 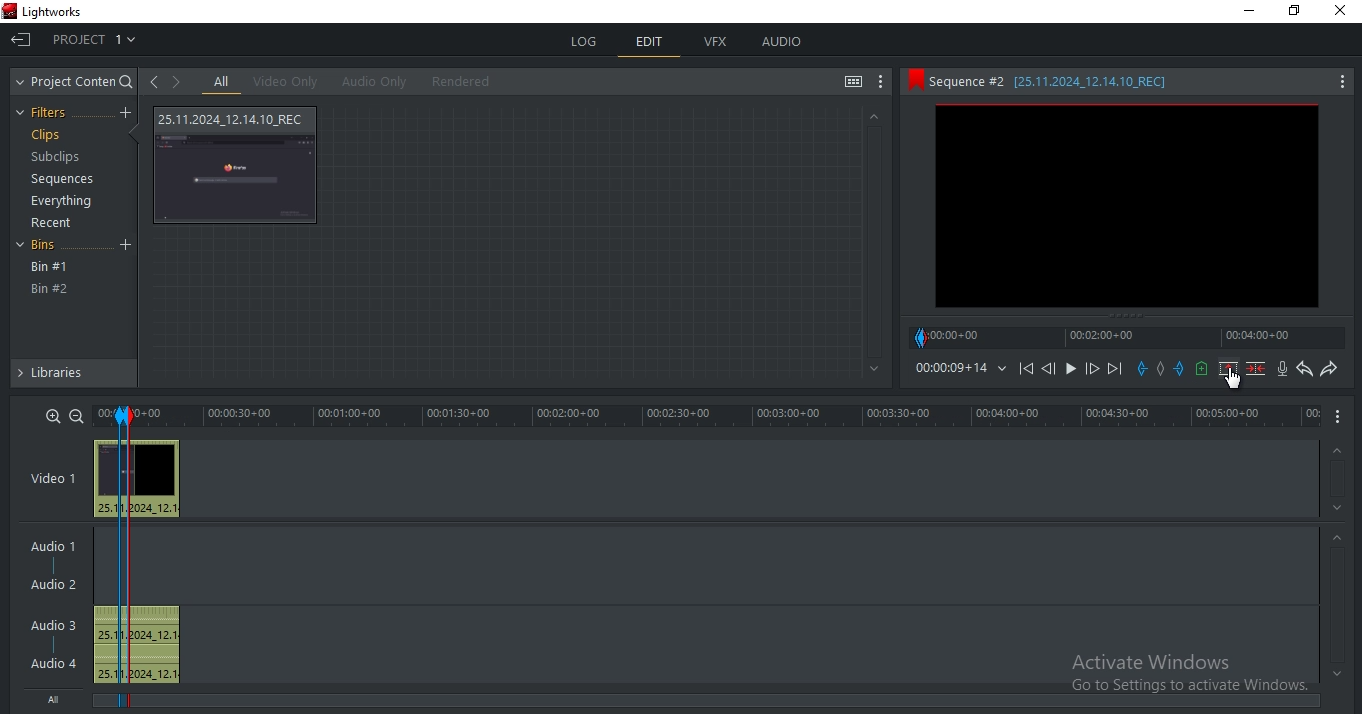 I want to click on Lightworks, so click(x=79, y=11).